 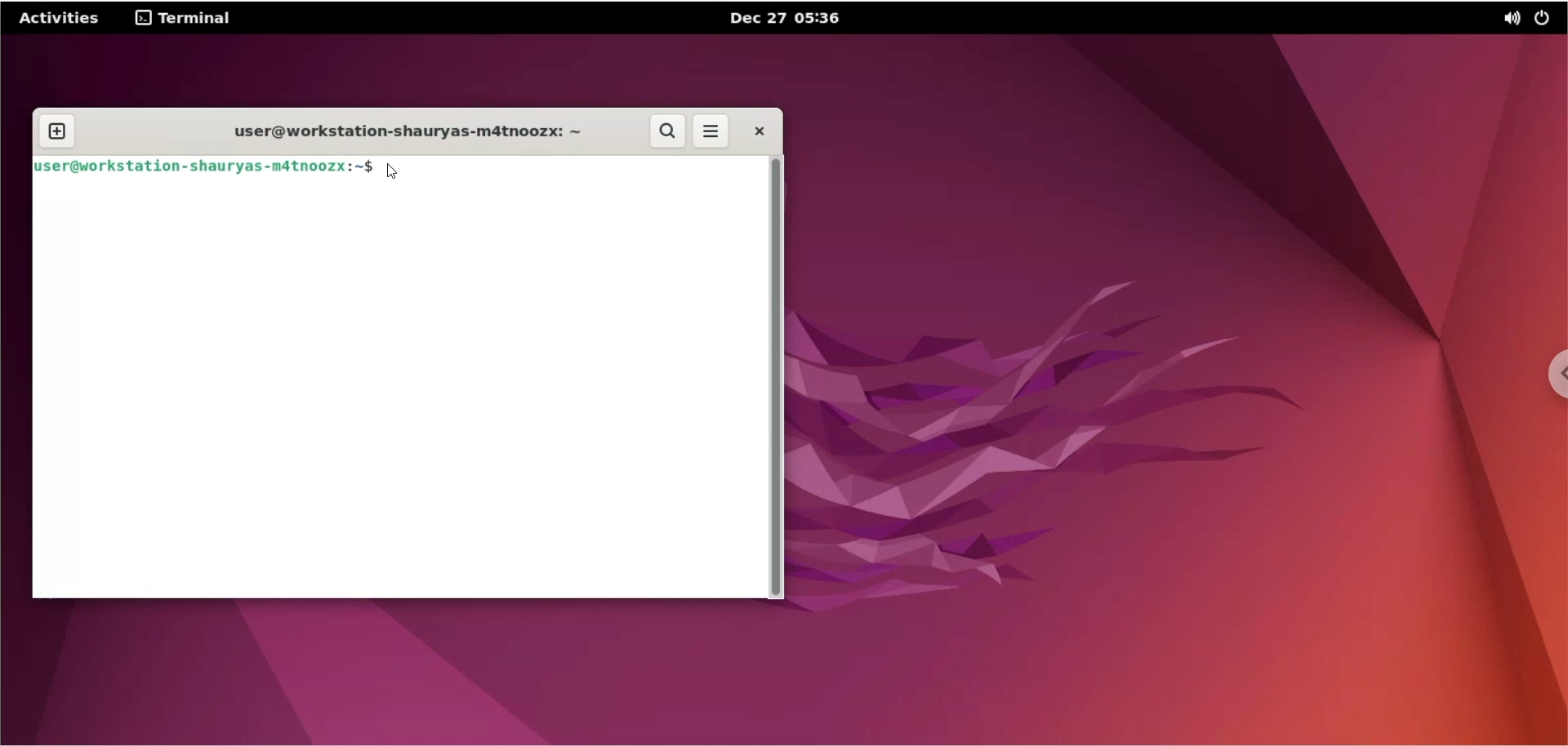 I want to click on chrome options, so click(x=1553, y=375).